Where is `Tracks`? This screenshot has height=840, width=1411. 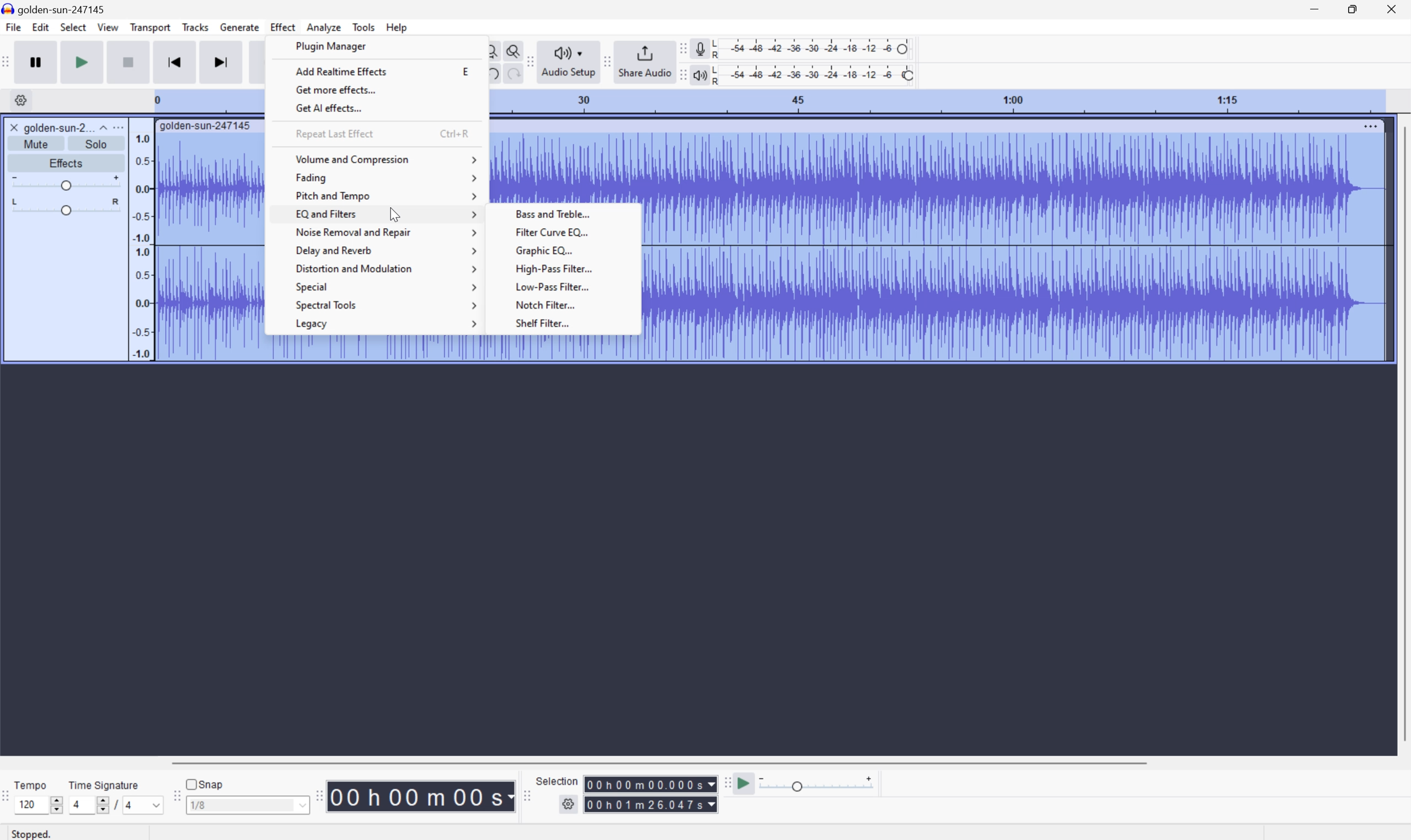
Tracks is located at coordinates (195, 26).